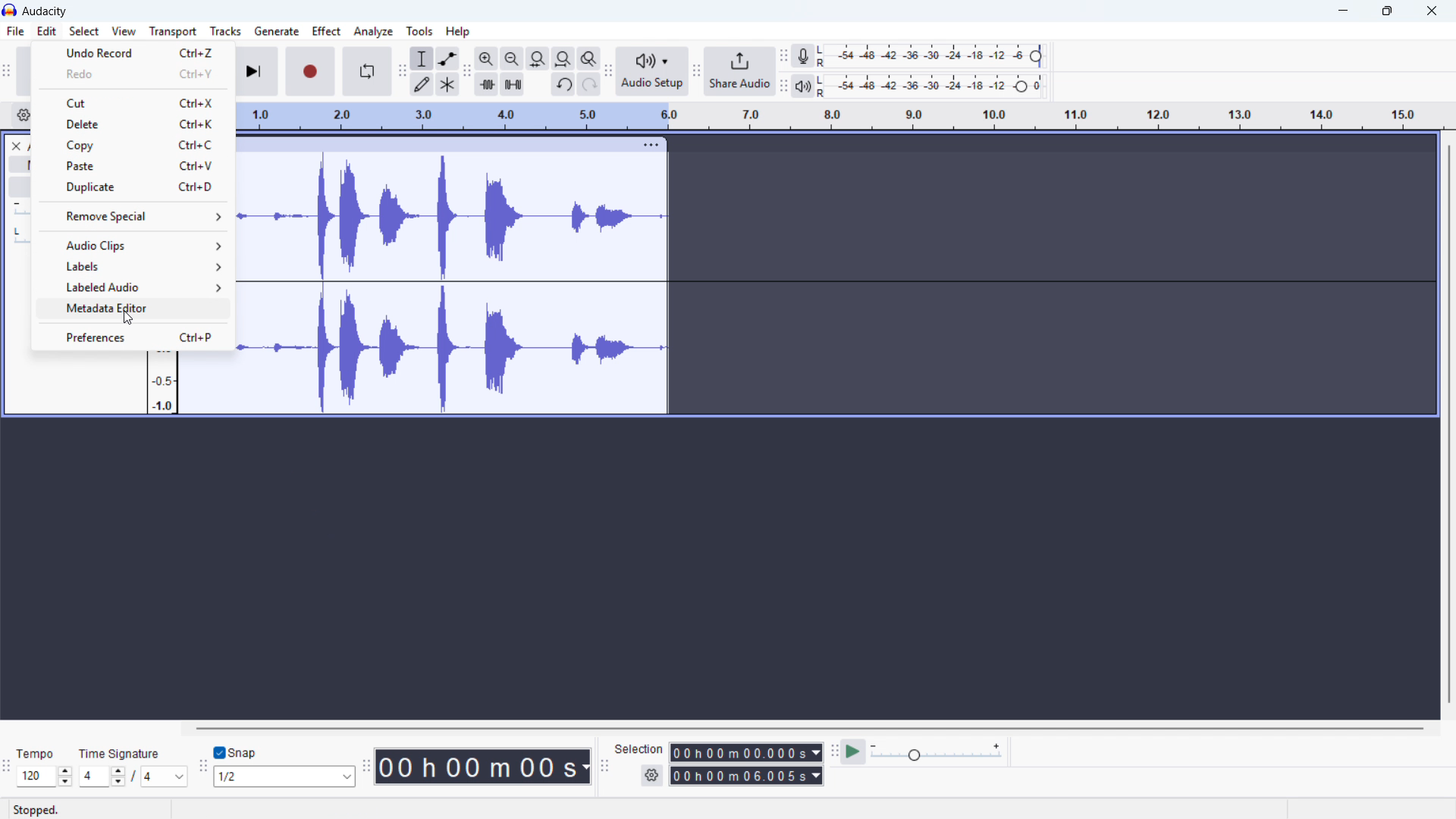 This screenshot has width=1456, height=819. I want to click on silence audio selection, so click(512, 85).